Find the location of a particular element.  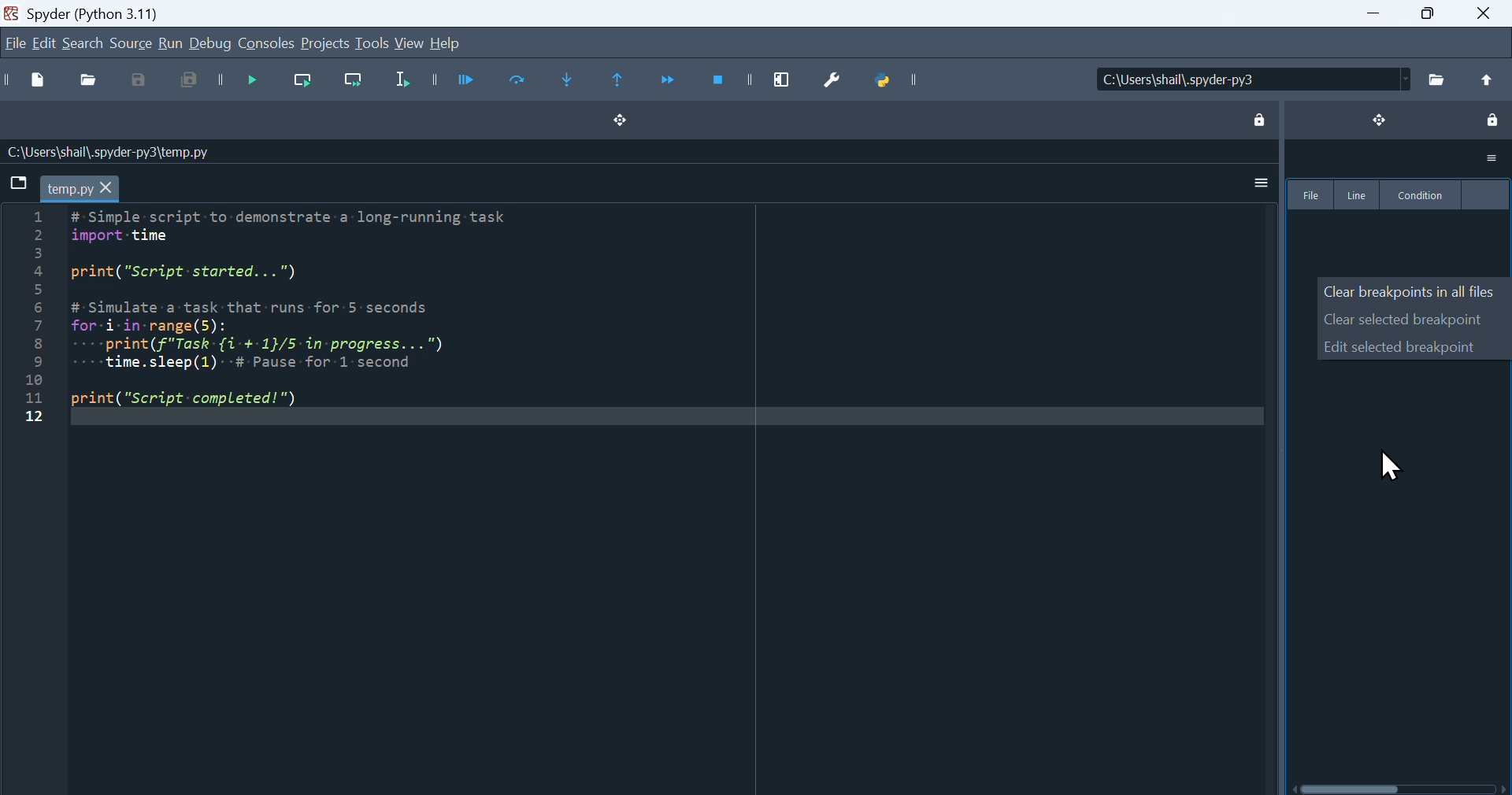

Save all is located at coordinates (187, 83).